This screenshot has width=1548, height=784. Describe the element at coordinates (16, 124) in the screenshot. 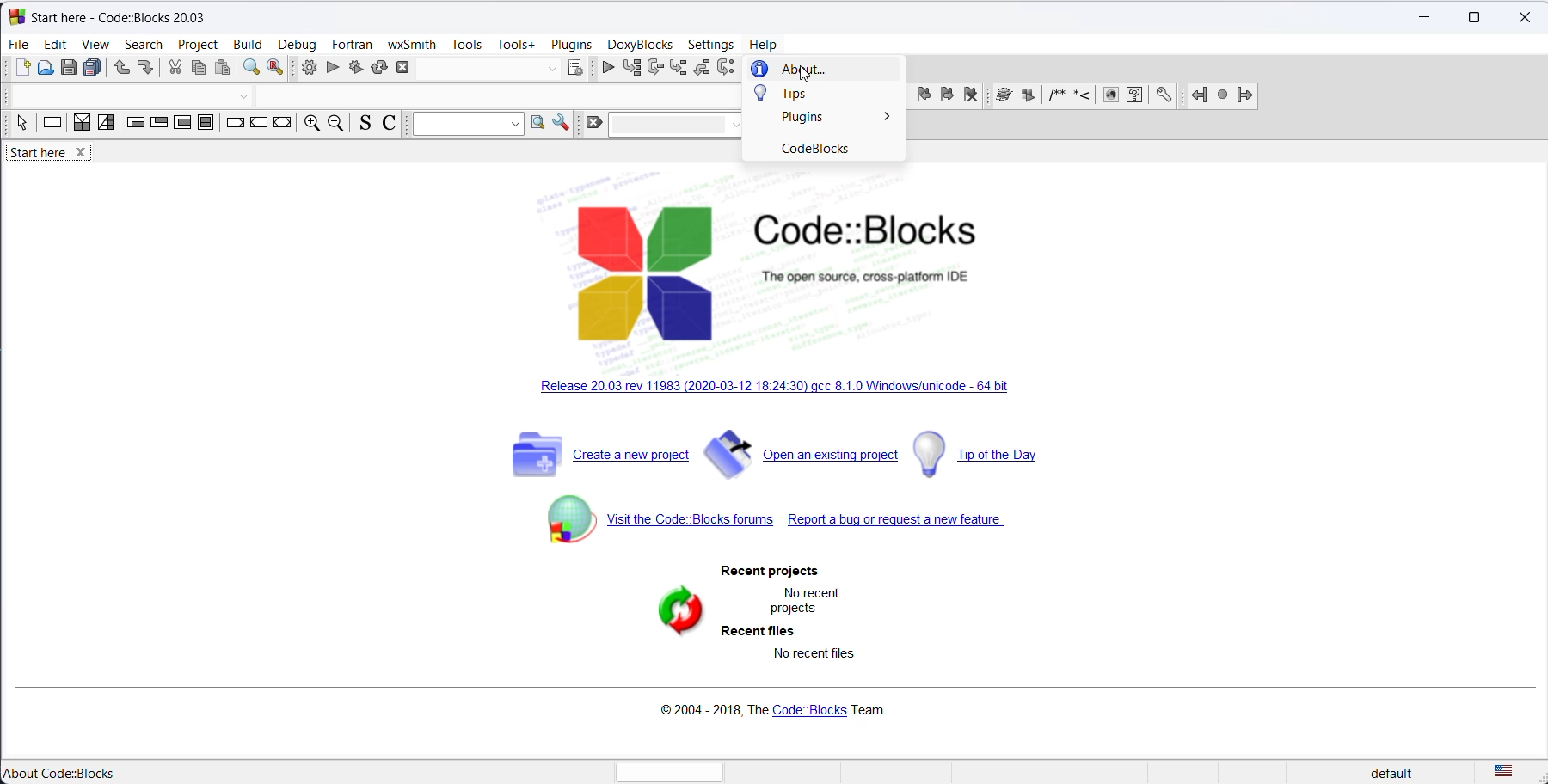

I see `select` at that location.